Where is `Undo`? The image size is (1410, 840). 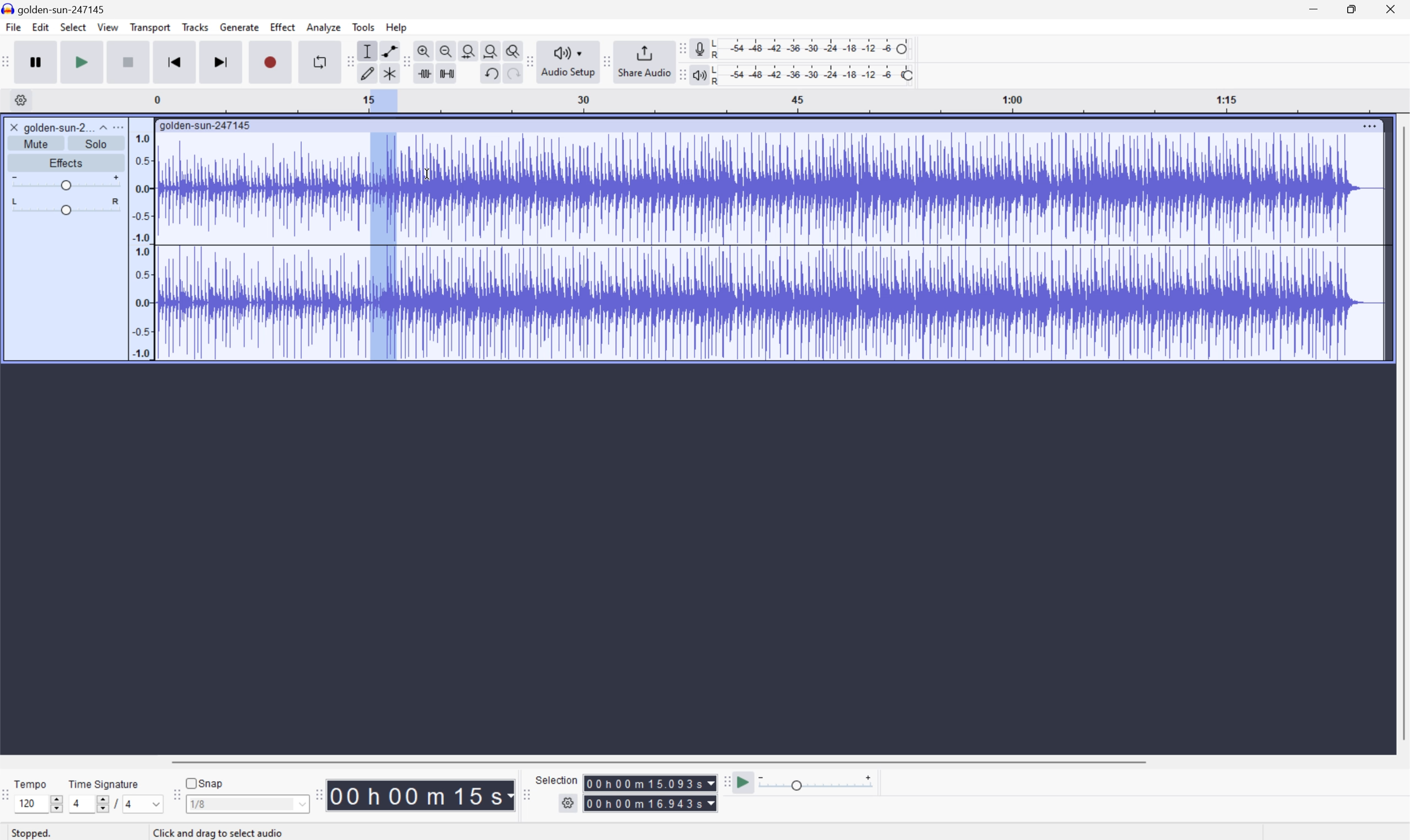
Undo is located at coordinates (489, 72).